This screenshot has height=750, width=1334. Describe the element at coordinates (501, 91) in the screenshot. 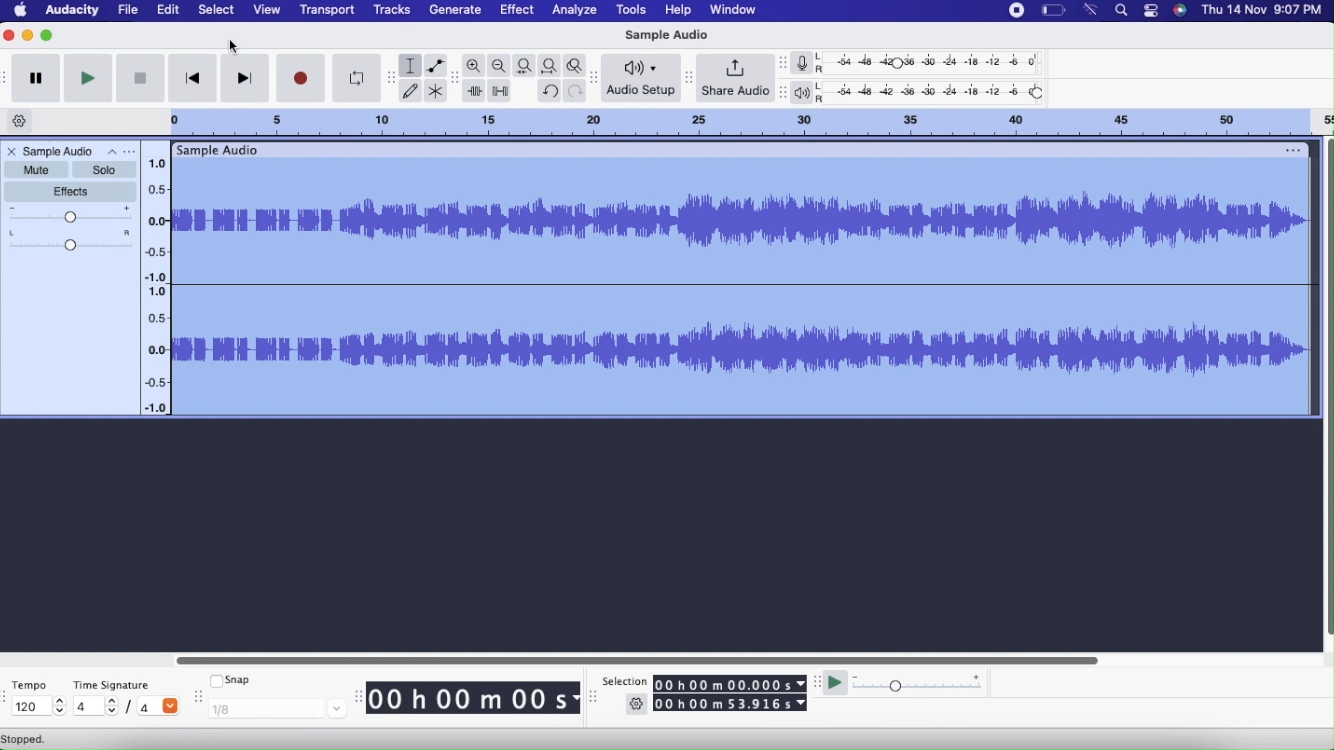

I see `Silence audio selection` at that location.